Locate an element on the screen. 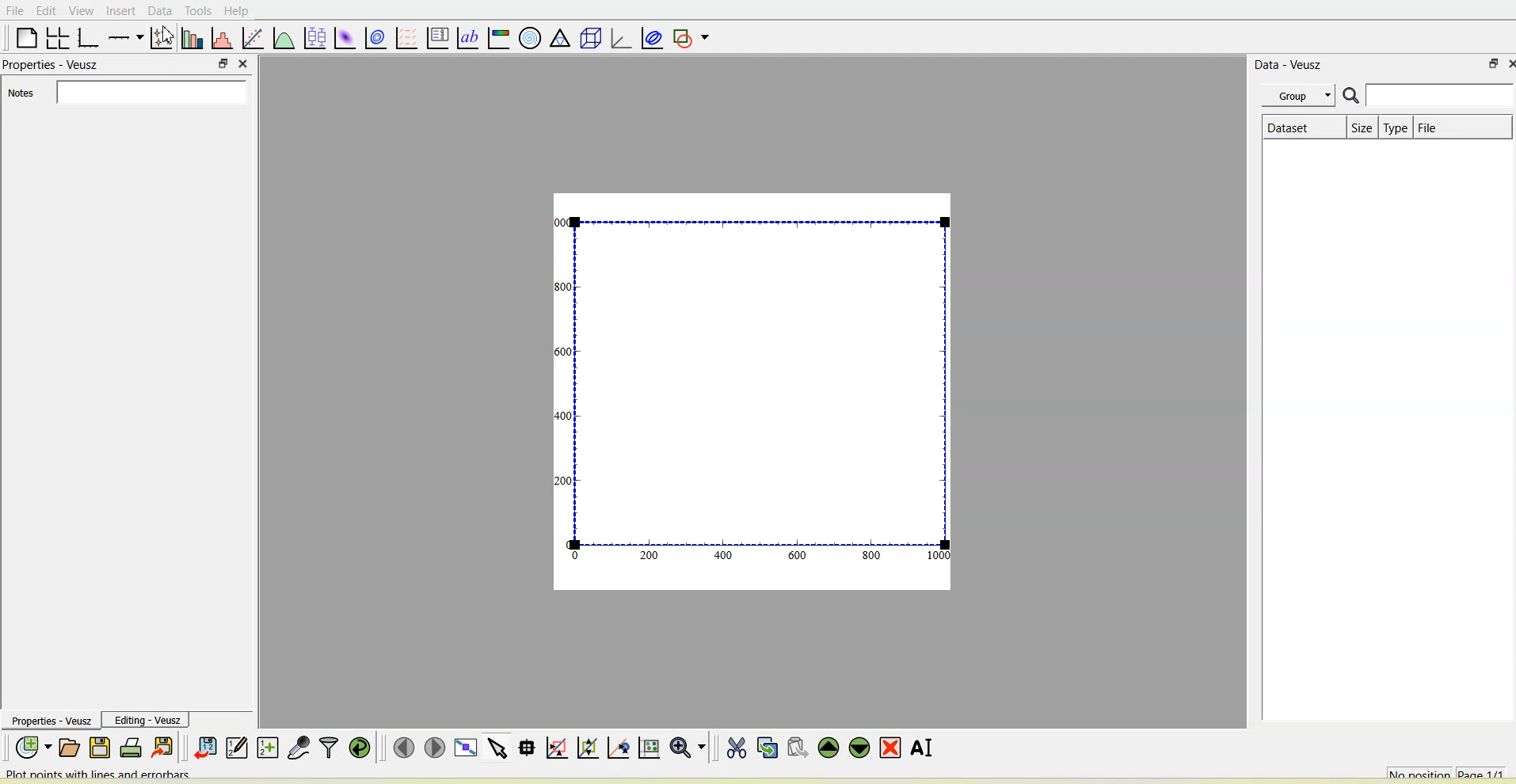  No position is located at coordinates (1420, 772).